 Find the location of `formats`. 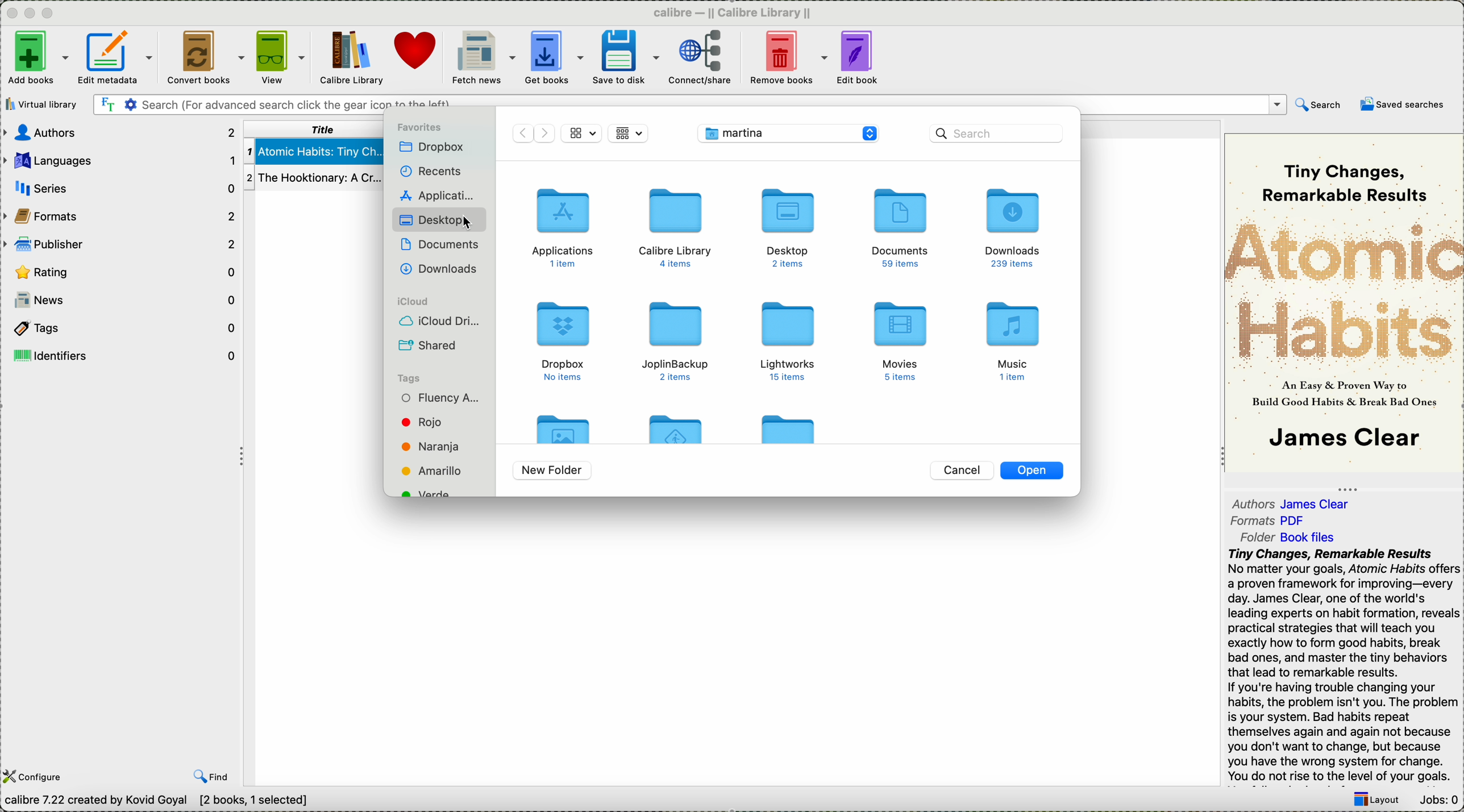

formats is located at coordinates (122, 216).